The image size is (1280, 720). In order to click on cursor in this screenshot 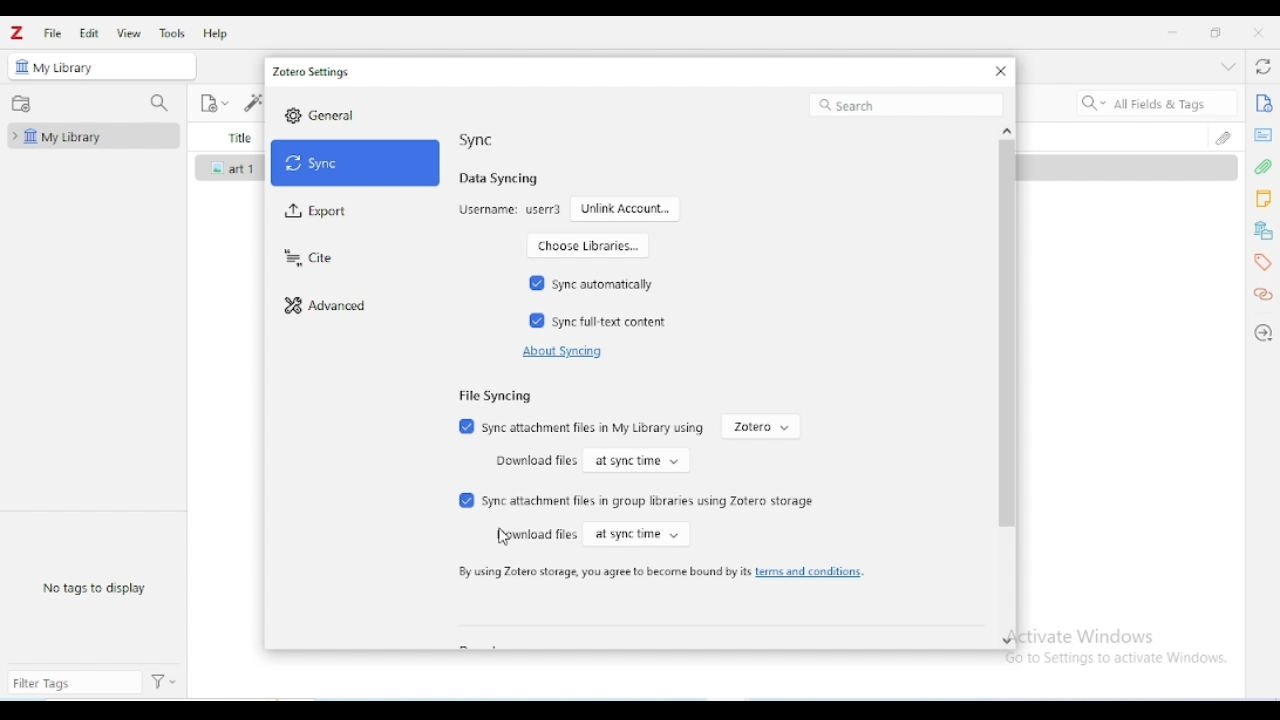, I will do `click(504, 538)`.